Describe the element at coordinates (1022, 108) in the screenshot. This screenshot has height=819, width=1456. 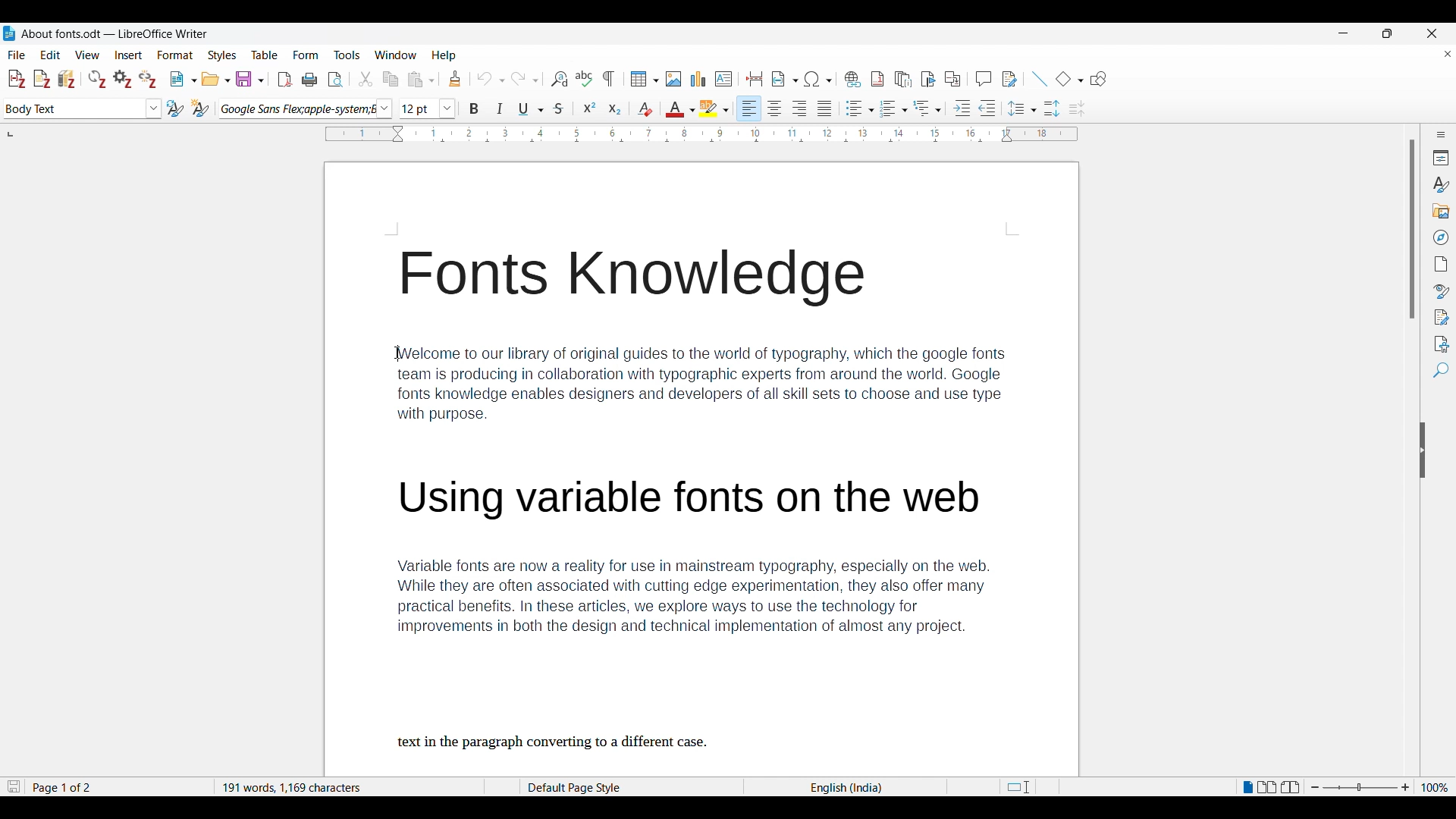
I see `Set line spacing` at that location.